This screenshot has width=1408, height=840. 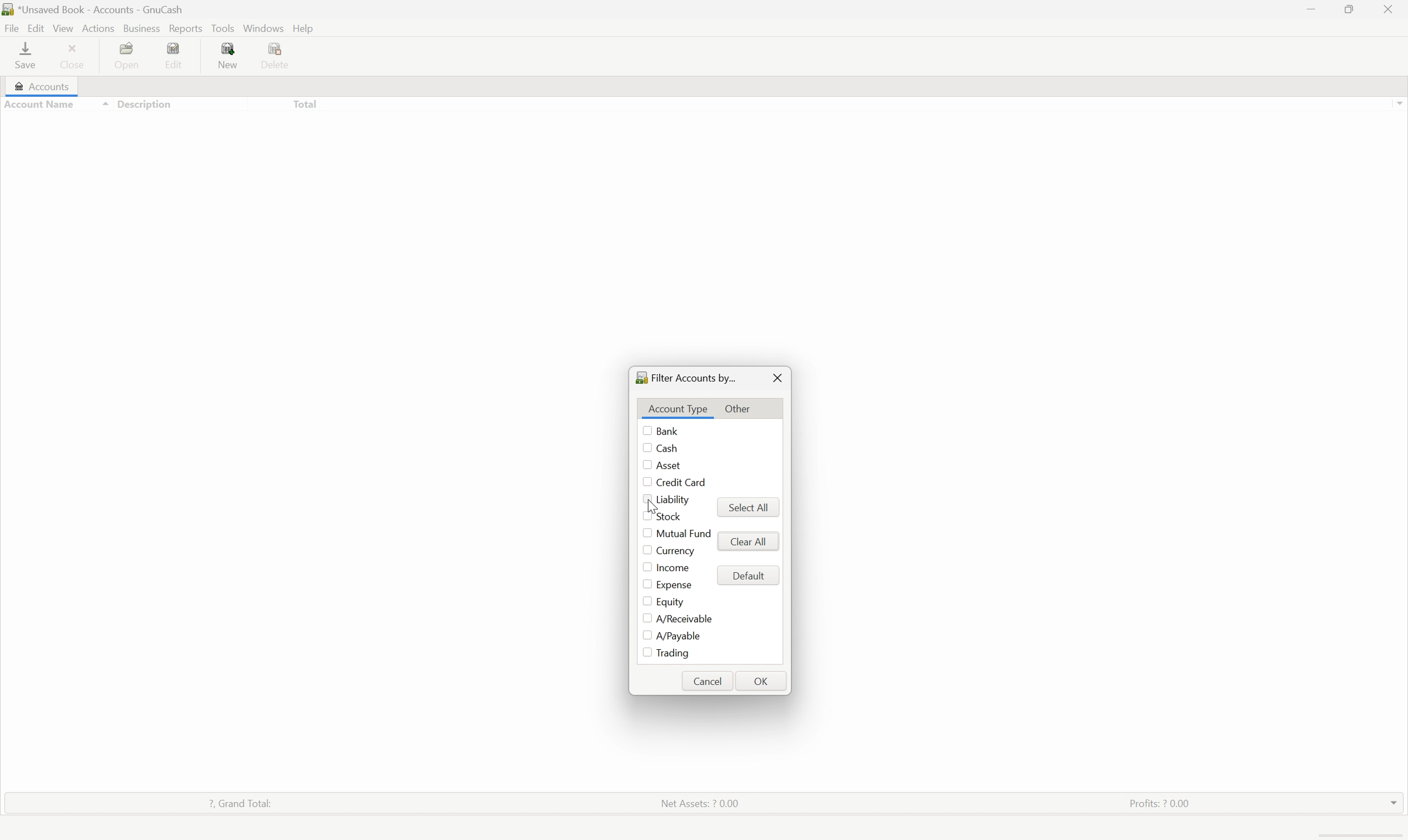 What do you see at coordinates (645, 532) in the screenshot?
I see `Checkbox` at bounding box center [645, 532].